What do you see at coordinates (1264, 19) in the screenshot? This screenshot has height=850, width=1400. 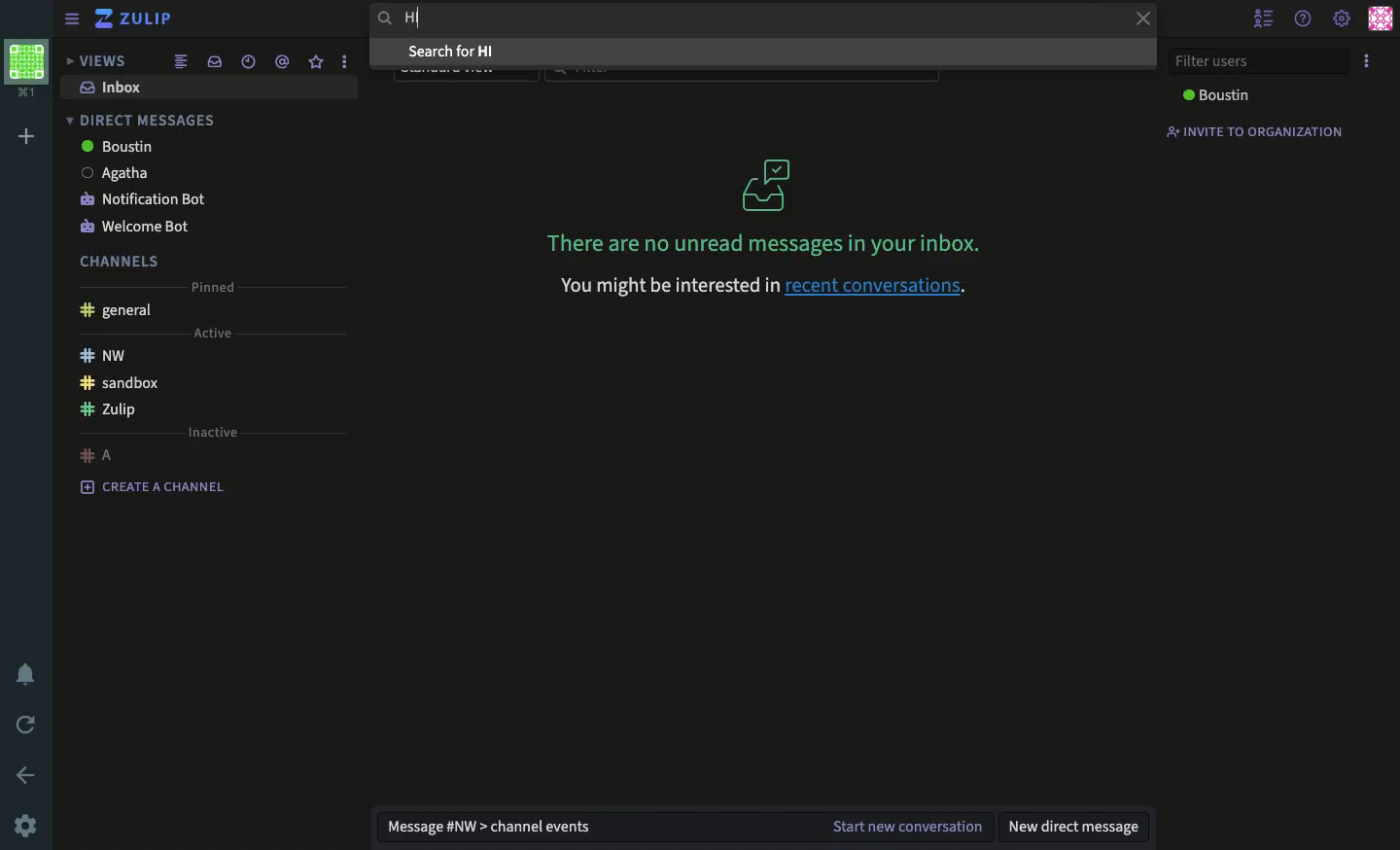 I see `hide user list` at bounding box center [1264, 19].